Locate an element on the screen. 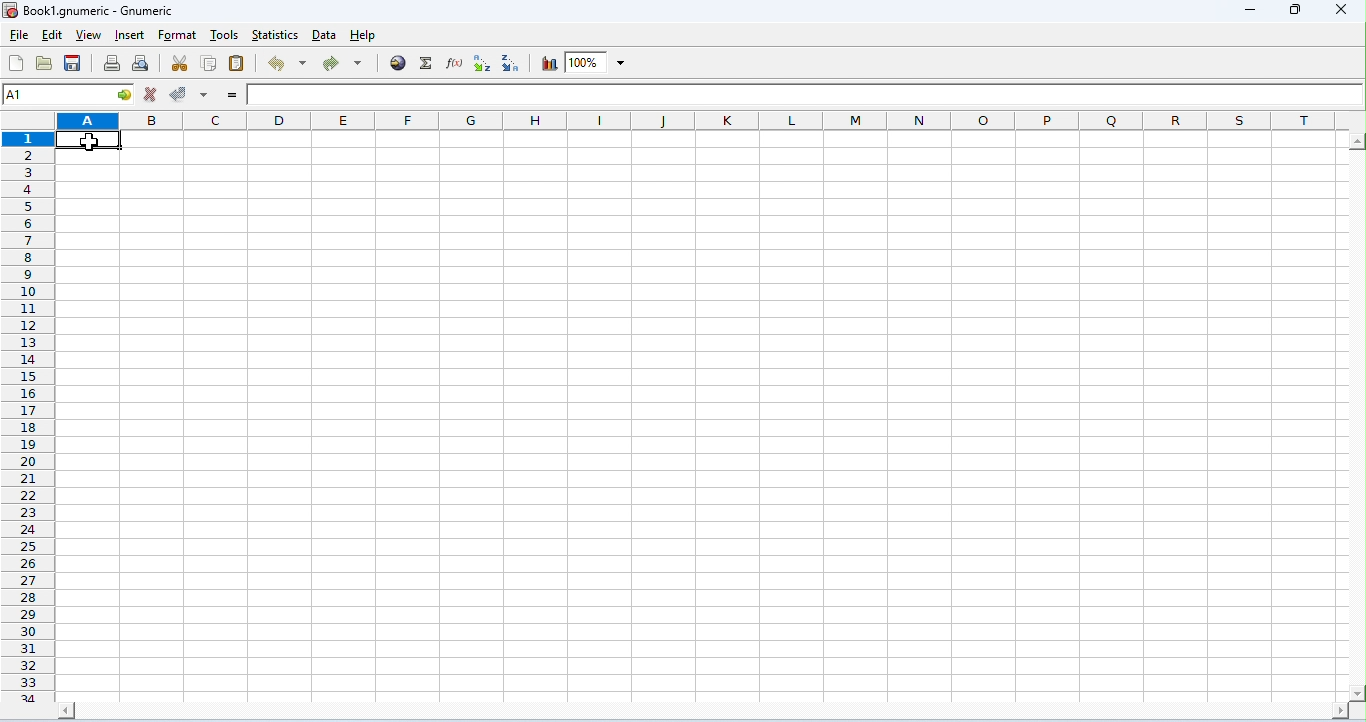 This screenshot has height=722, width=1366. zoom is located at coordinates (598, 62).